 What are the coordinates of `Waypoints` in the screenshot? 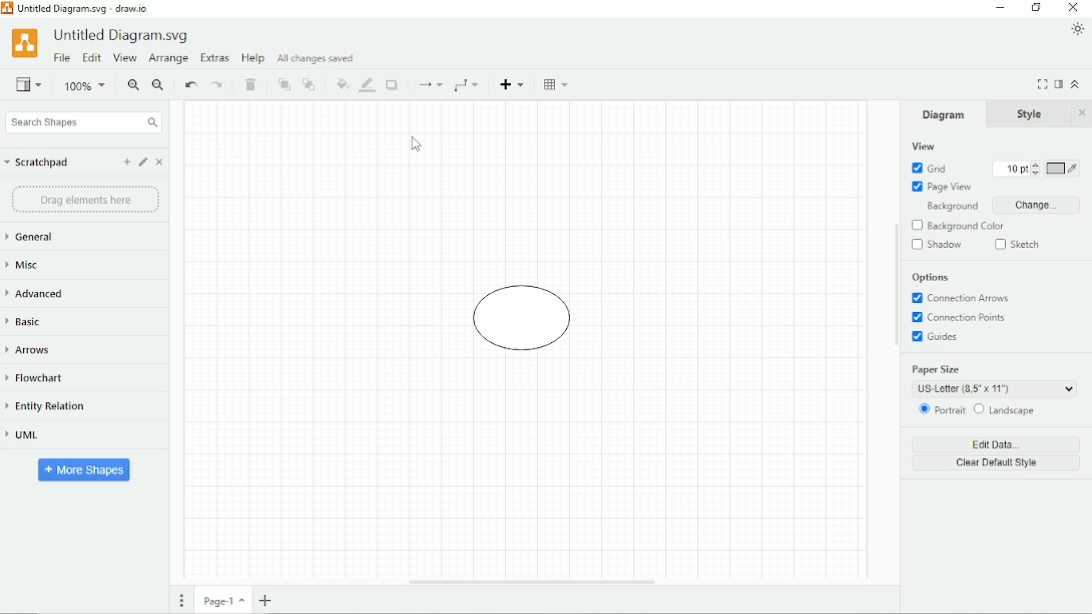 It's located at (466, 86).